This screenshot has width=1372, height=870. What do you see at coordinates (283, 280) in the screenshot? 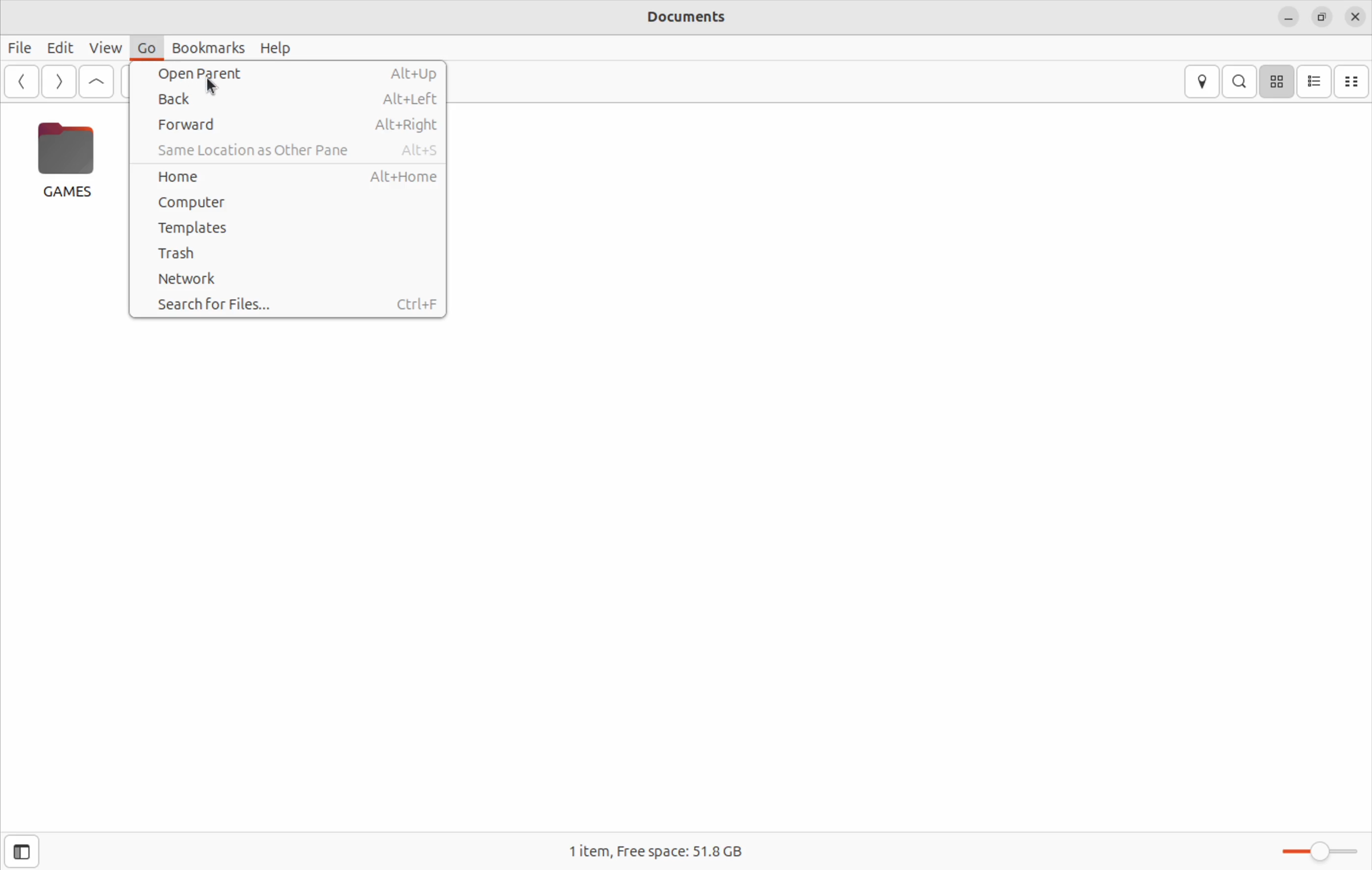
I see `network` at bounding box center [283, 280].